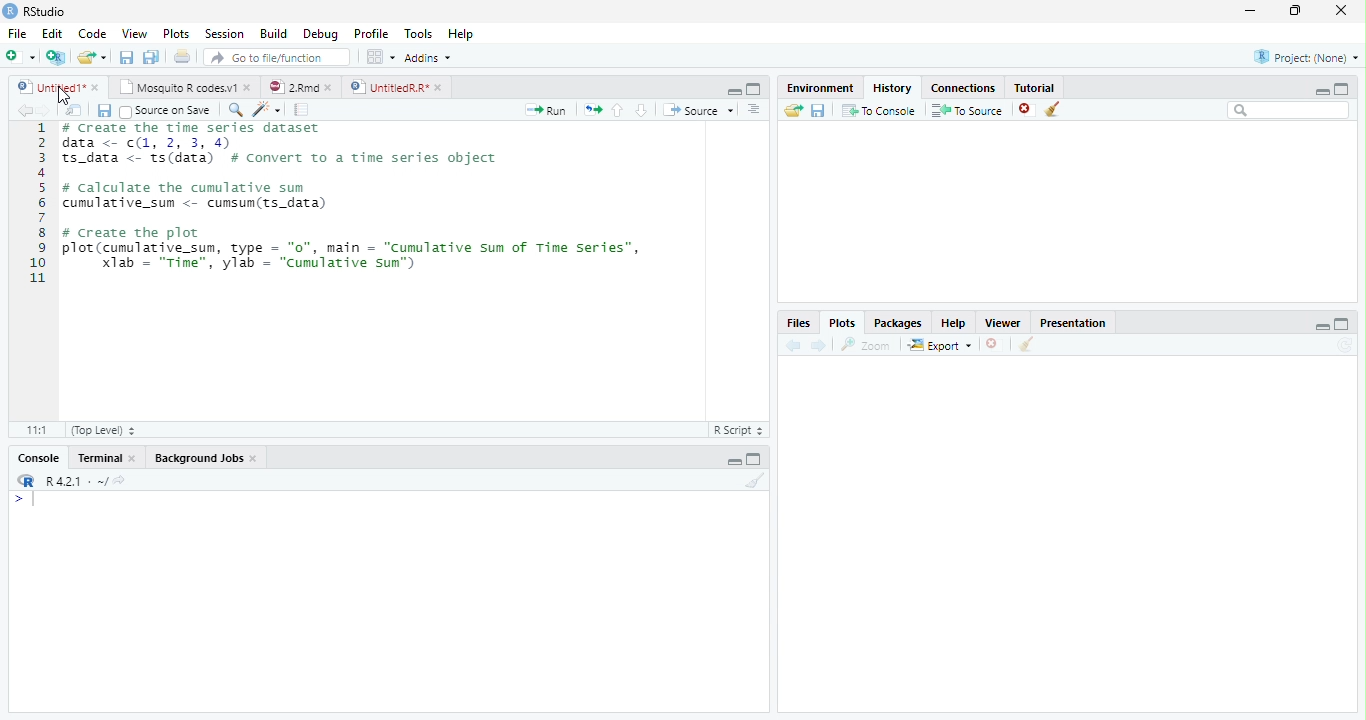 The height and width of the screenshot is (720, 1366). I want to click on To Console, so click(879, 113).